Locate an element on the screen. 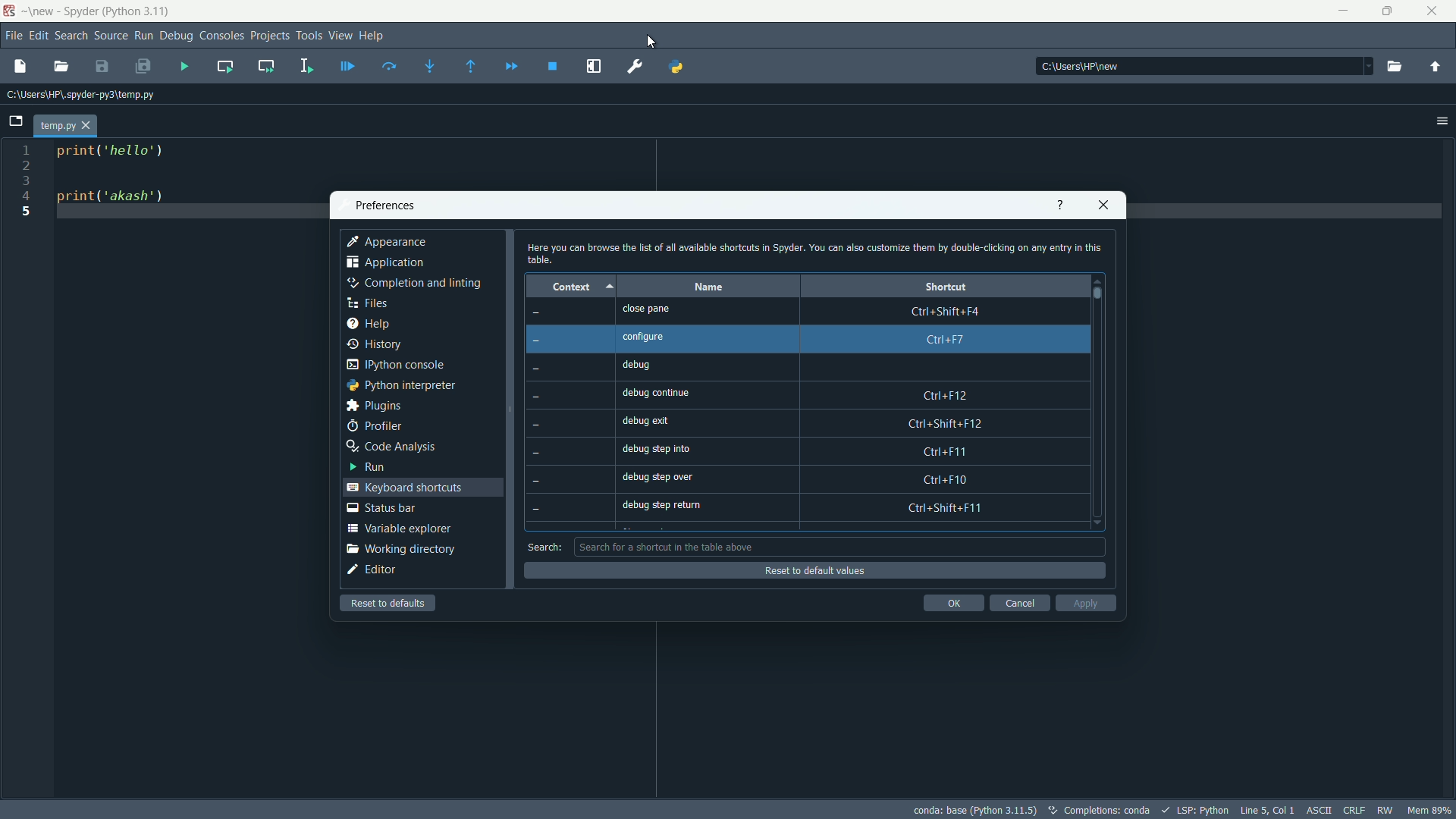 Image resolution: width=1456 pixels, height=819 pixels. debug menu is located at coordinates (177, 36).